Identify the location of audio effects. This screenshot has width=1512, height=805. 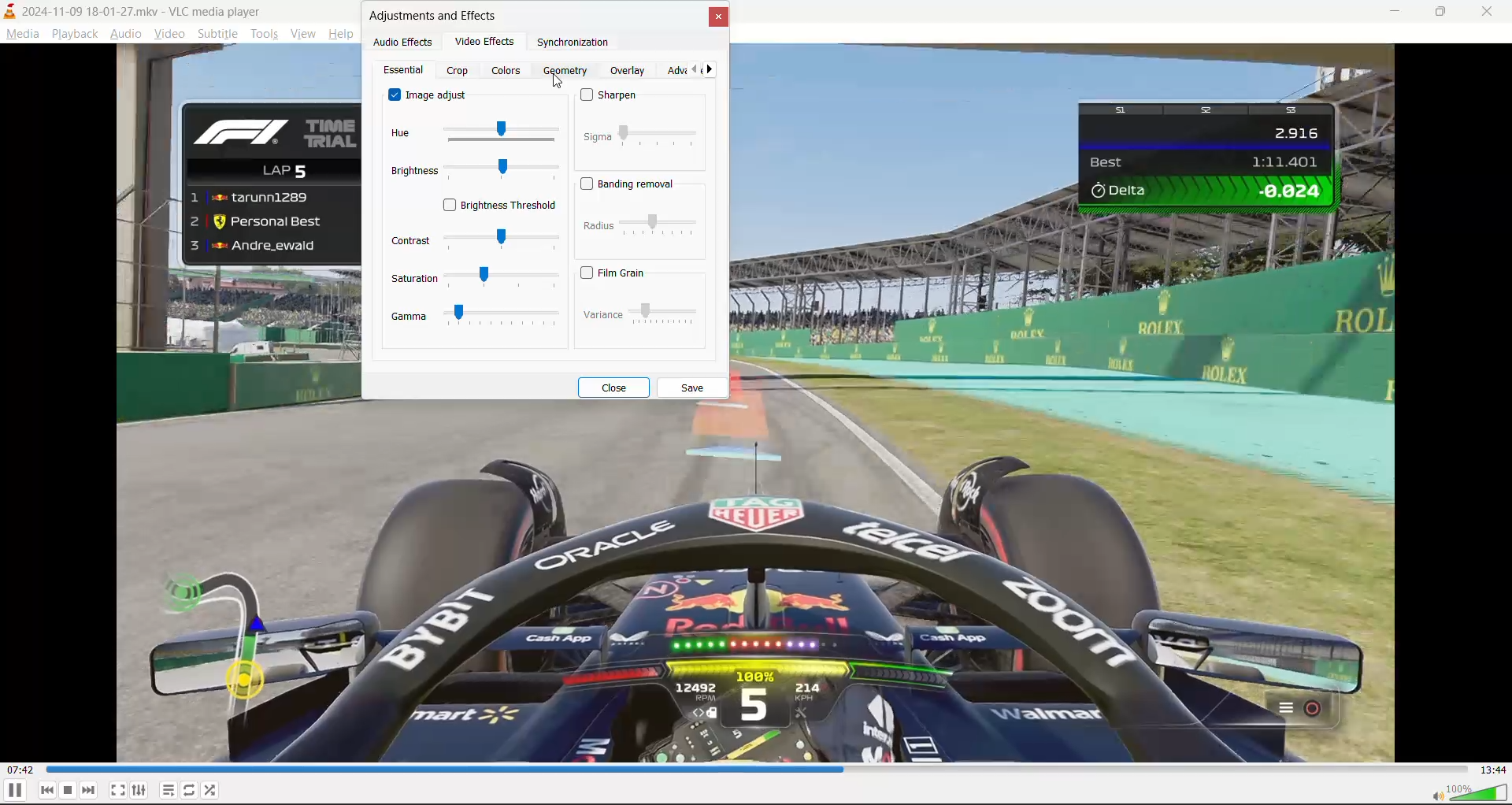
(403, 41).